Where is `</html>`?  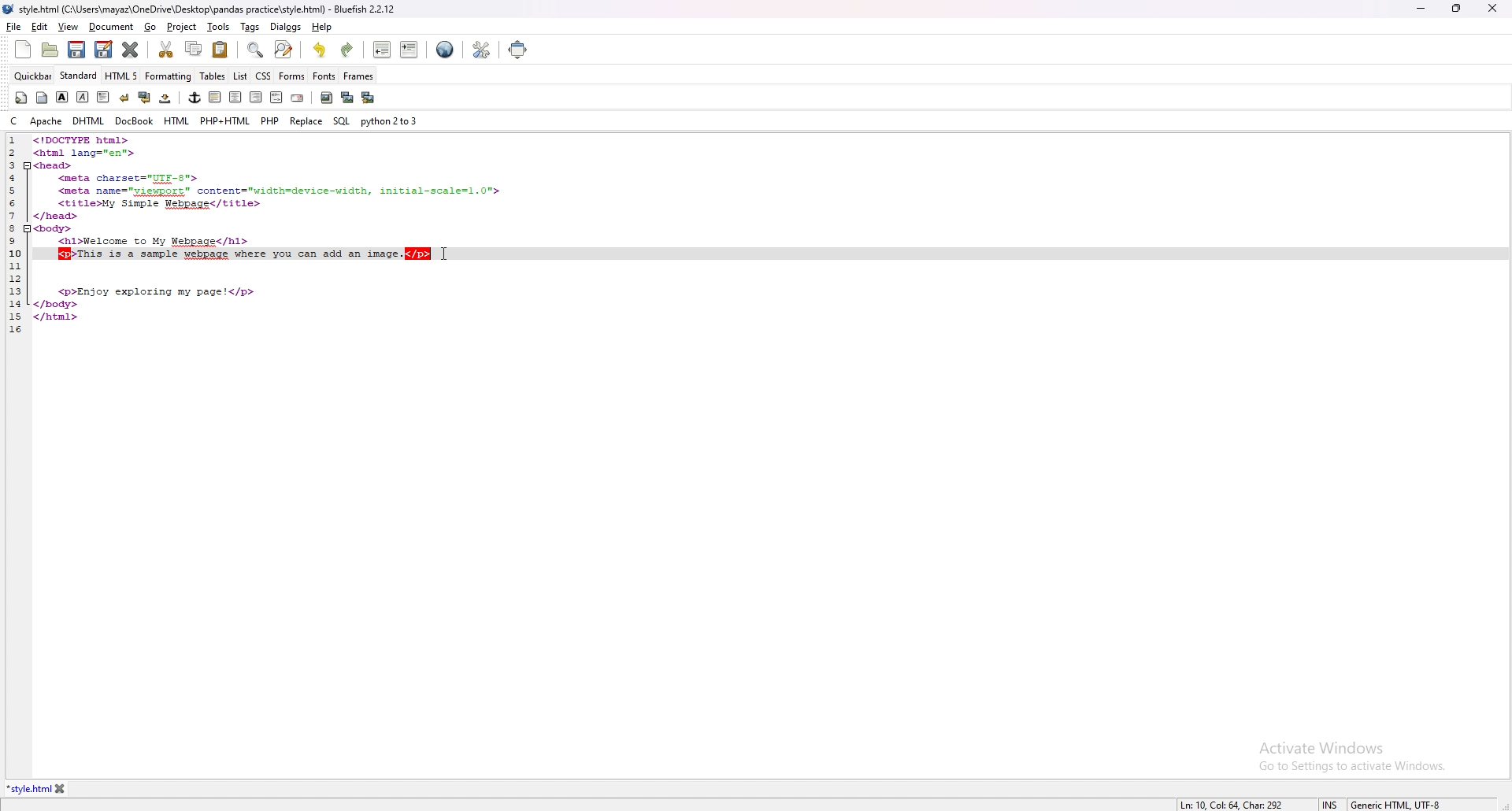
</html> is located at coordinates (57, 317).